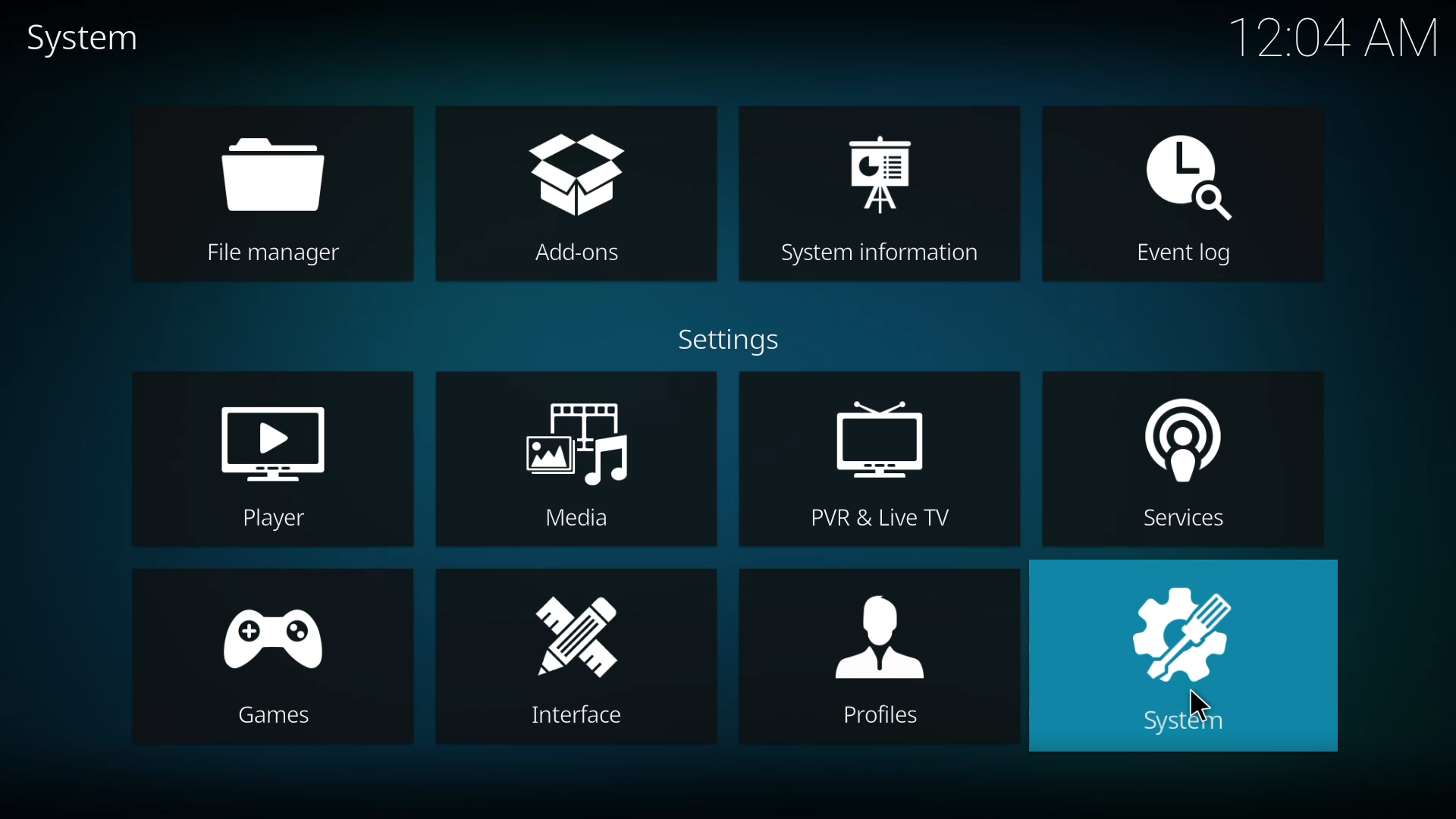  What do you see at coordinates (585, 661) in the screenshot?
I see `interface` at bounding box center [585, 661].